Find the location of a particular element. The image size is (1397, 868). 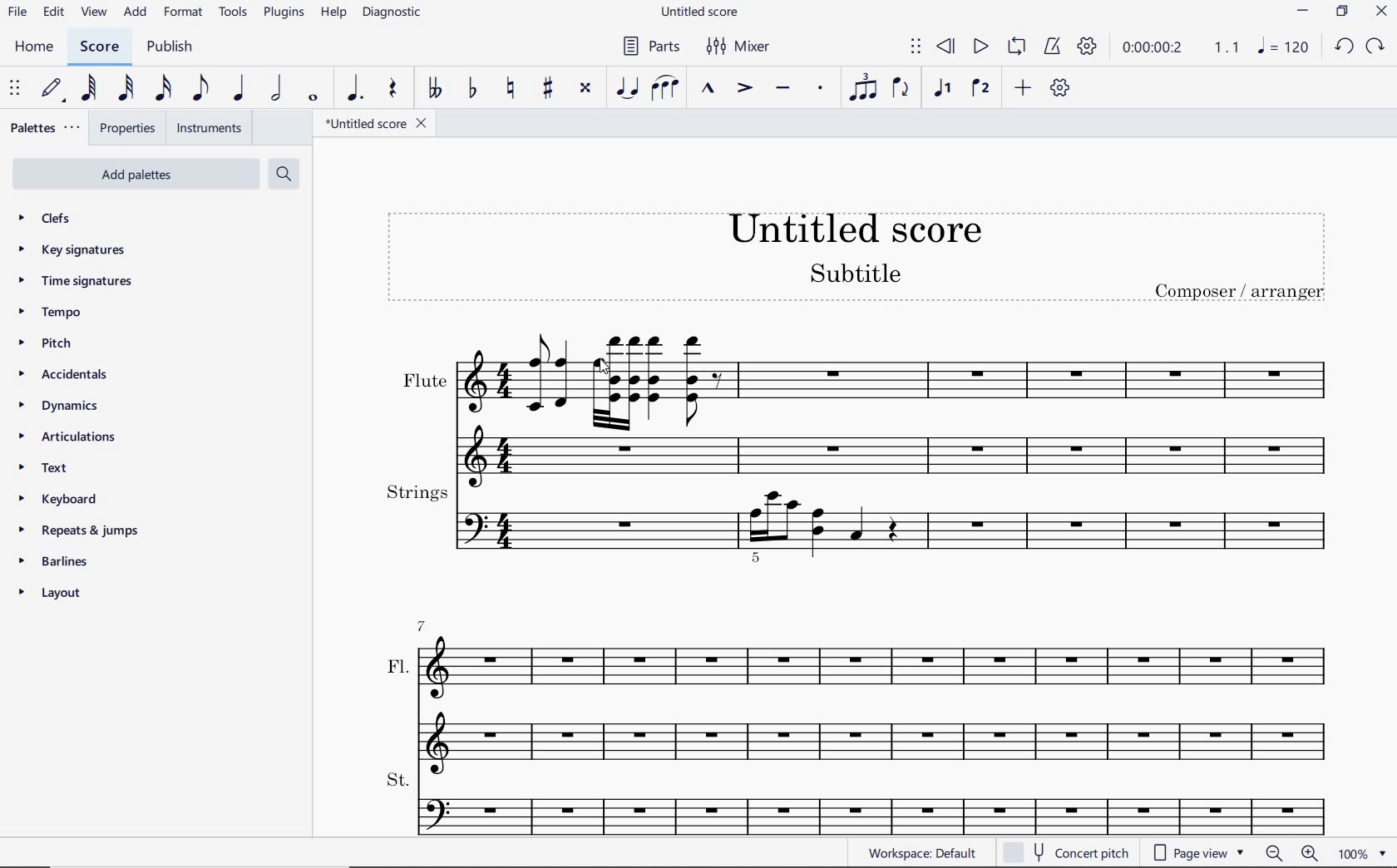

TOGGLE FLAT is located at coordinates (472, 89).